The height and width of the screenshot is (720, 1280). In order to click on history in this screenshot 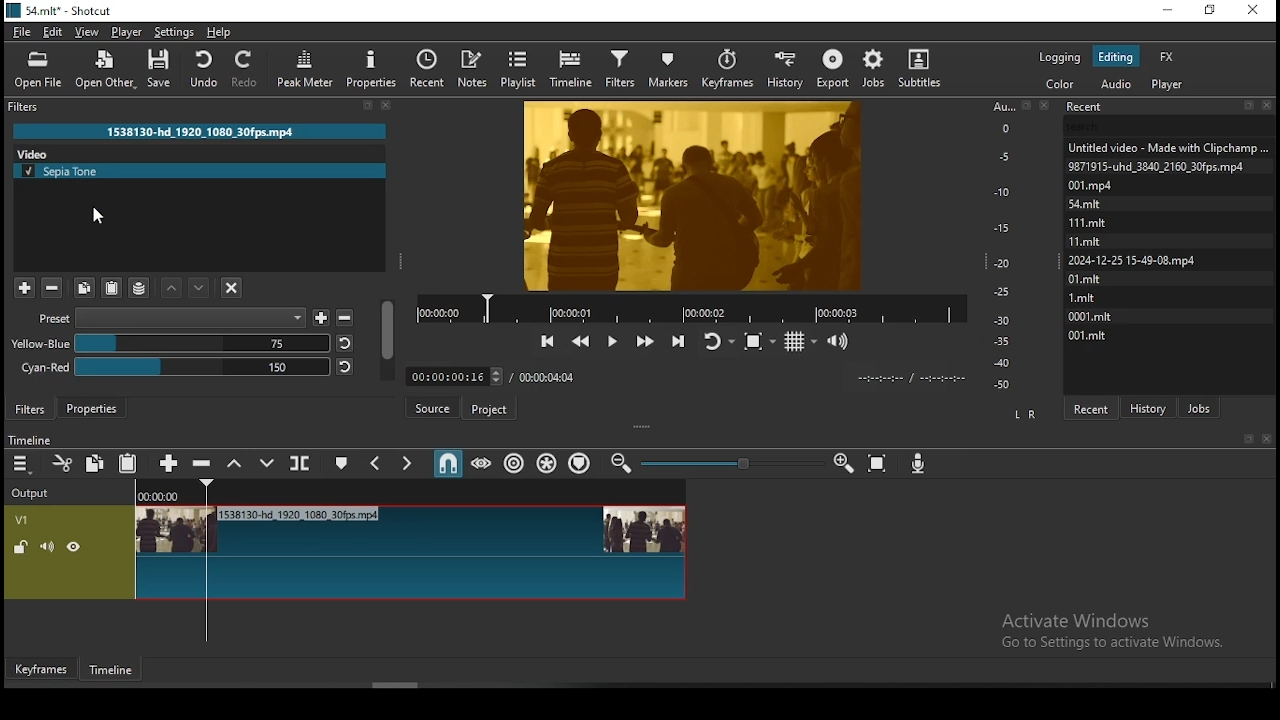, I will do `click(786, 67)`.